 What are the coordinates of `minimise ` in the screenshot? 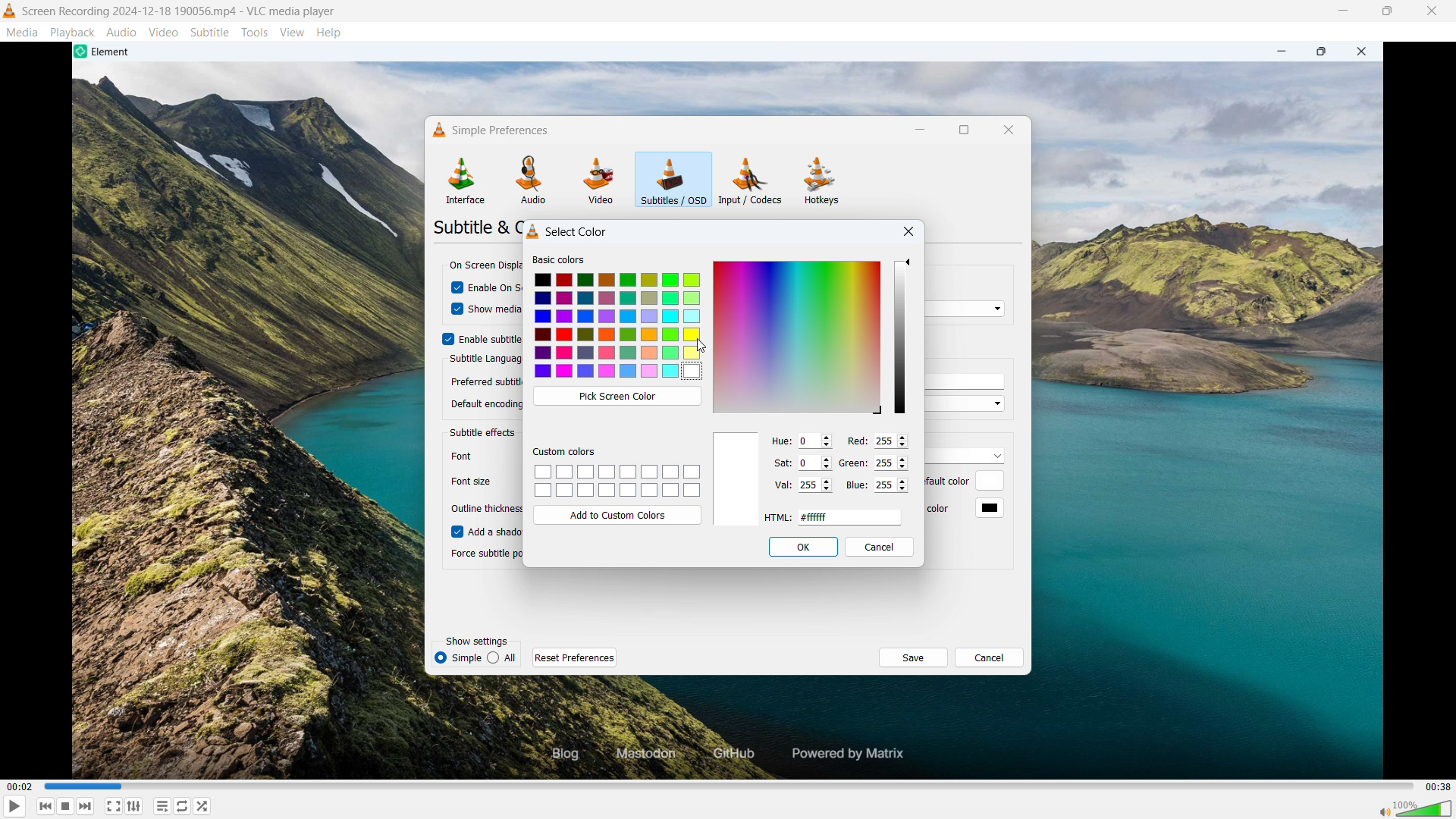 It's located at (1341, 11).